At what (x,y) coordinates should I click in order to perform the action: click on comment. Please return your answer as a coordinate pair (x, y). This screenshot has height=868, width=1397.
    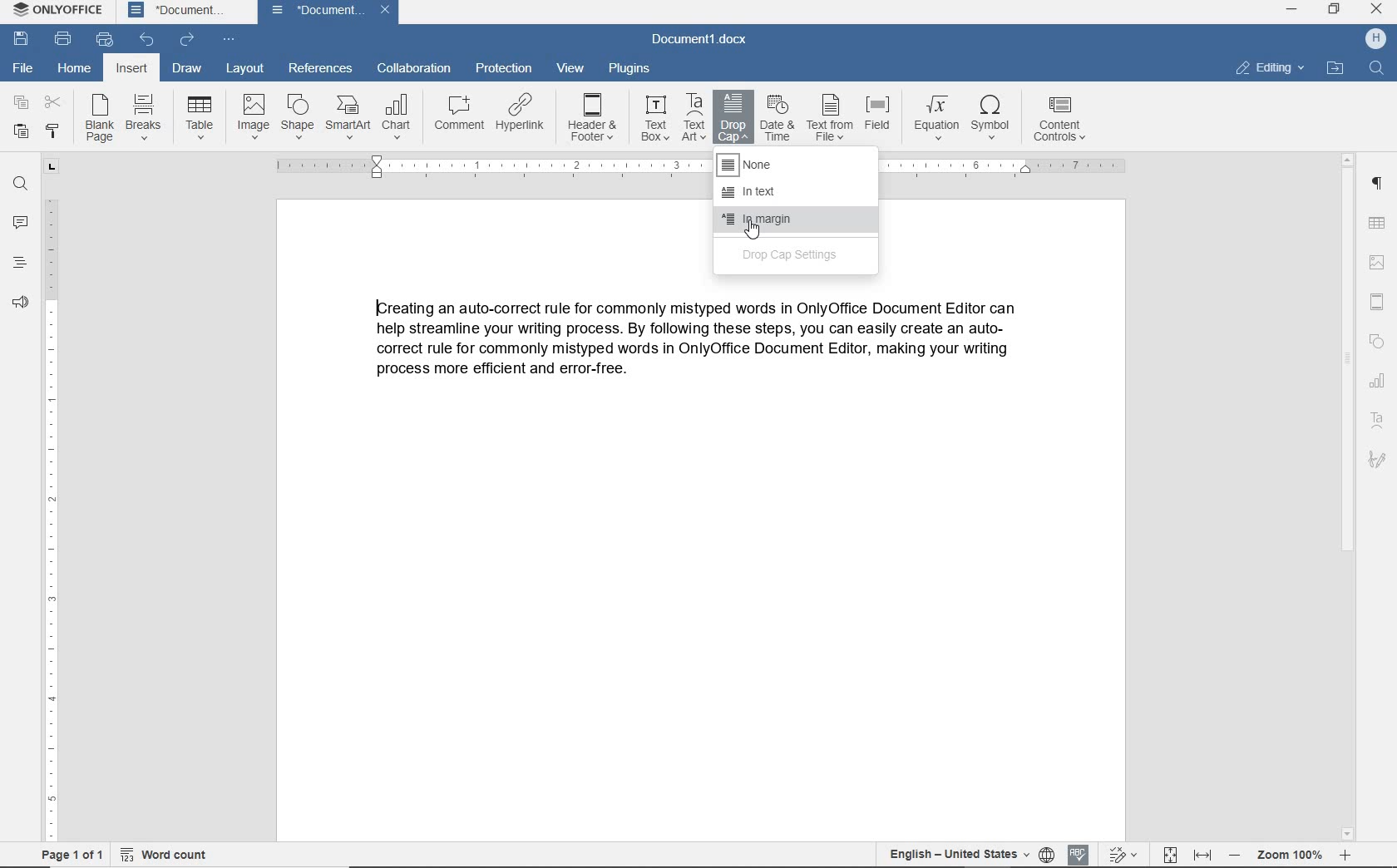
    Looking at the image, I should click on (461, 116).